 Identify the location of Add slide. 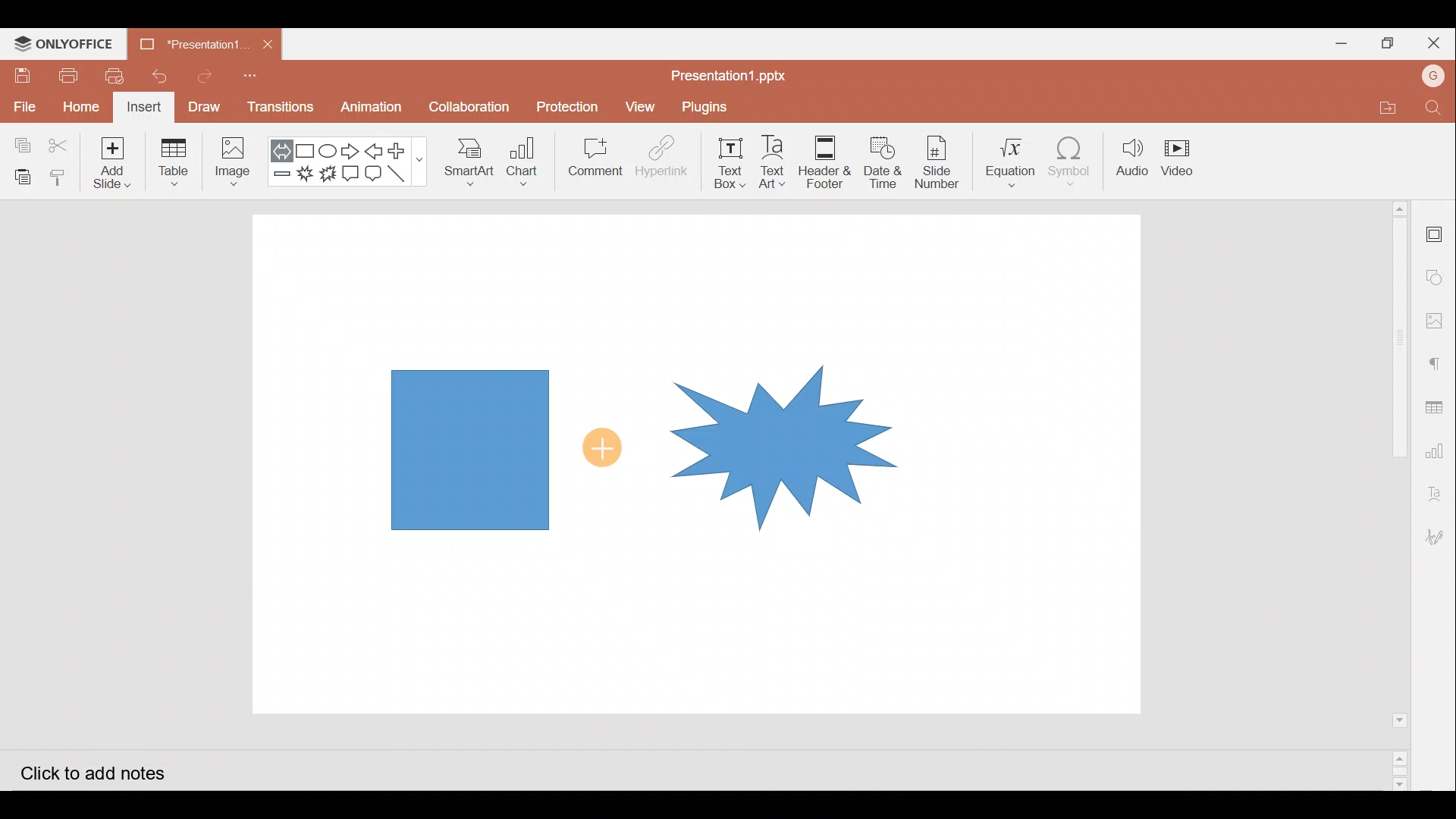
(119, 163).